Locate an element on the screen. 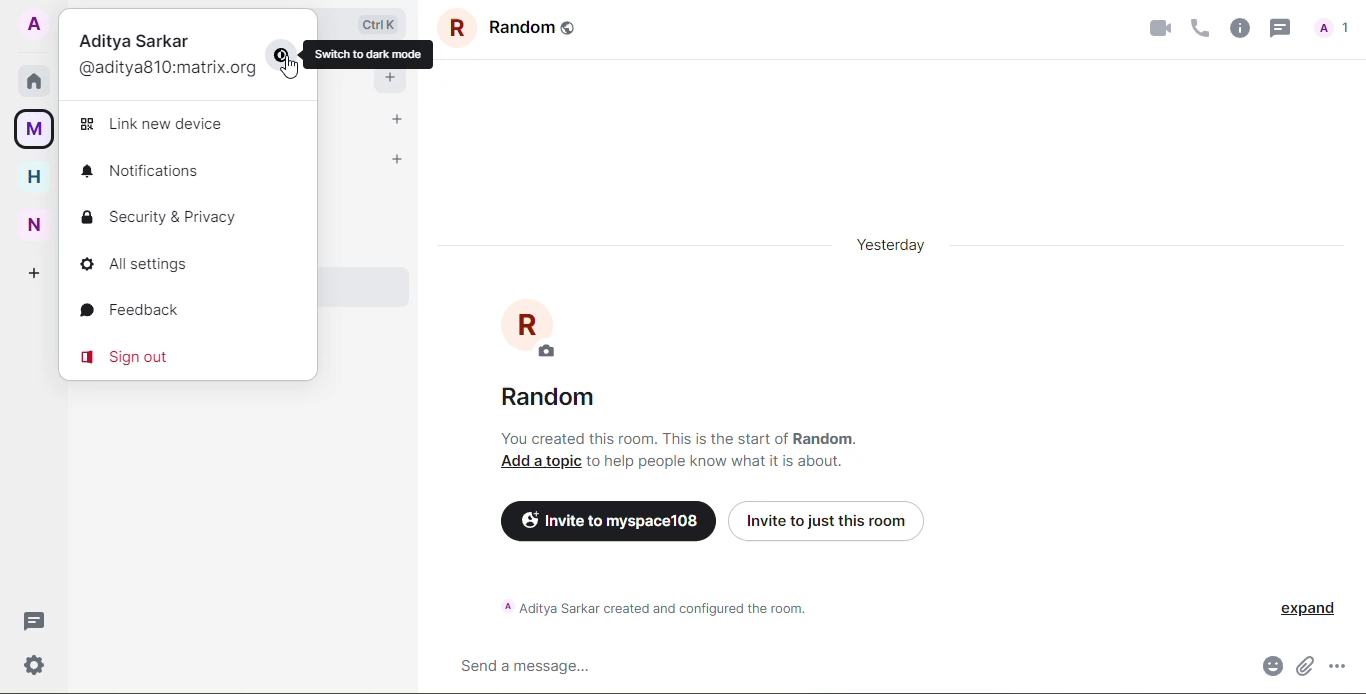 The image size is (1366, 694). invite to myspace 108 is located at coordinates (607, 520).